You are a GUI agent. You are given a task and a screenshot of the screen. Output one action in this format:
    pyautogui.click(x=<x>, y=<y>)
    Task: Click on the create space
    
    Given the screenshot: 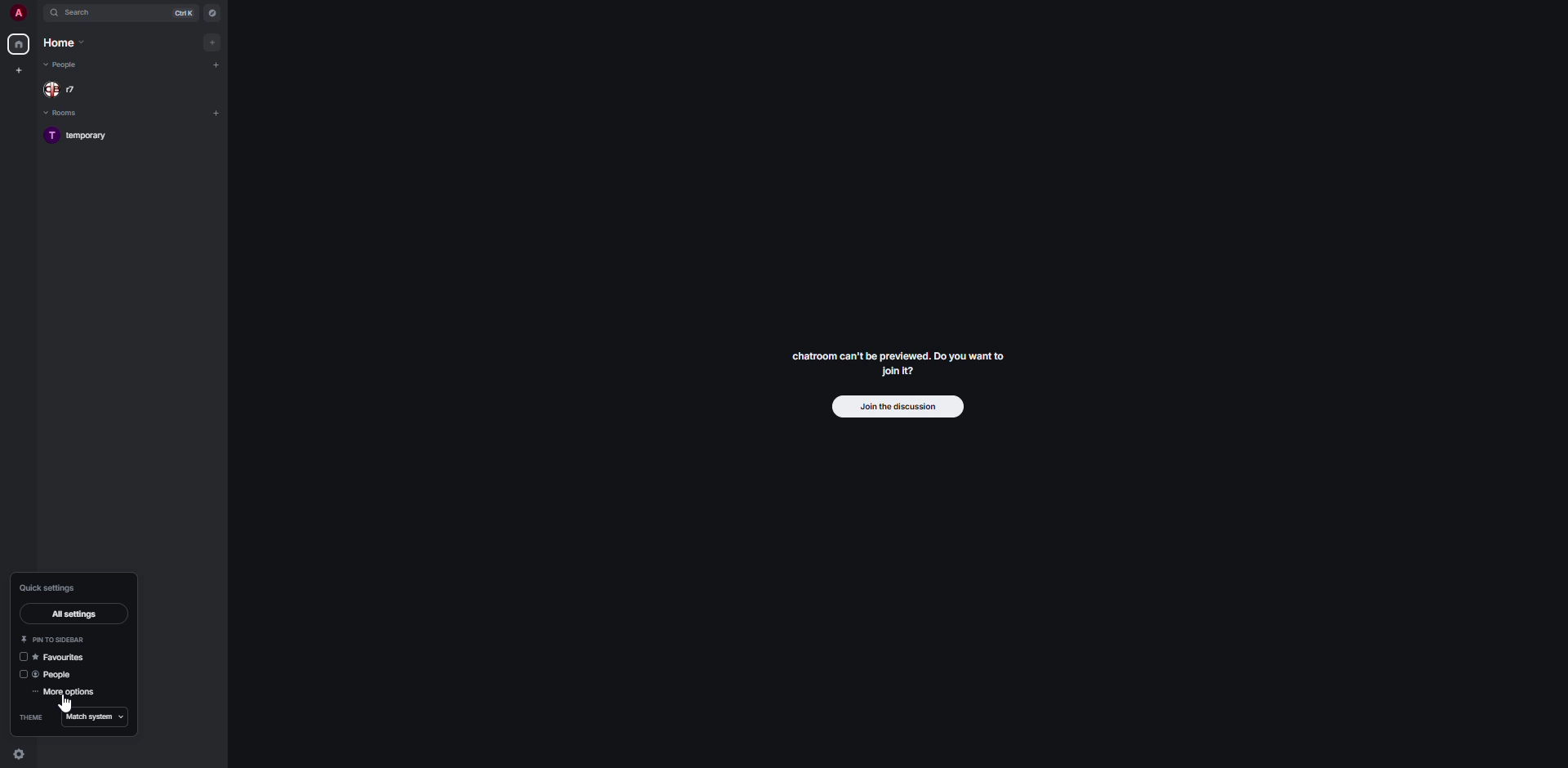 What is the action you would take?
    pyautogui.click(x=18, y=69)
    